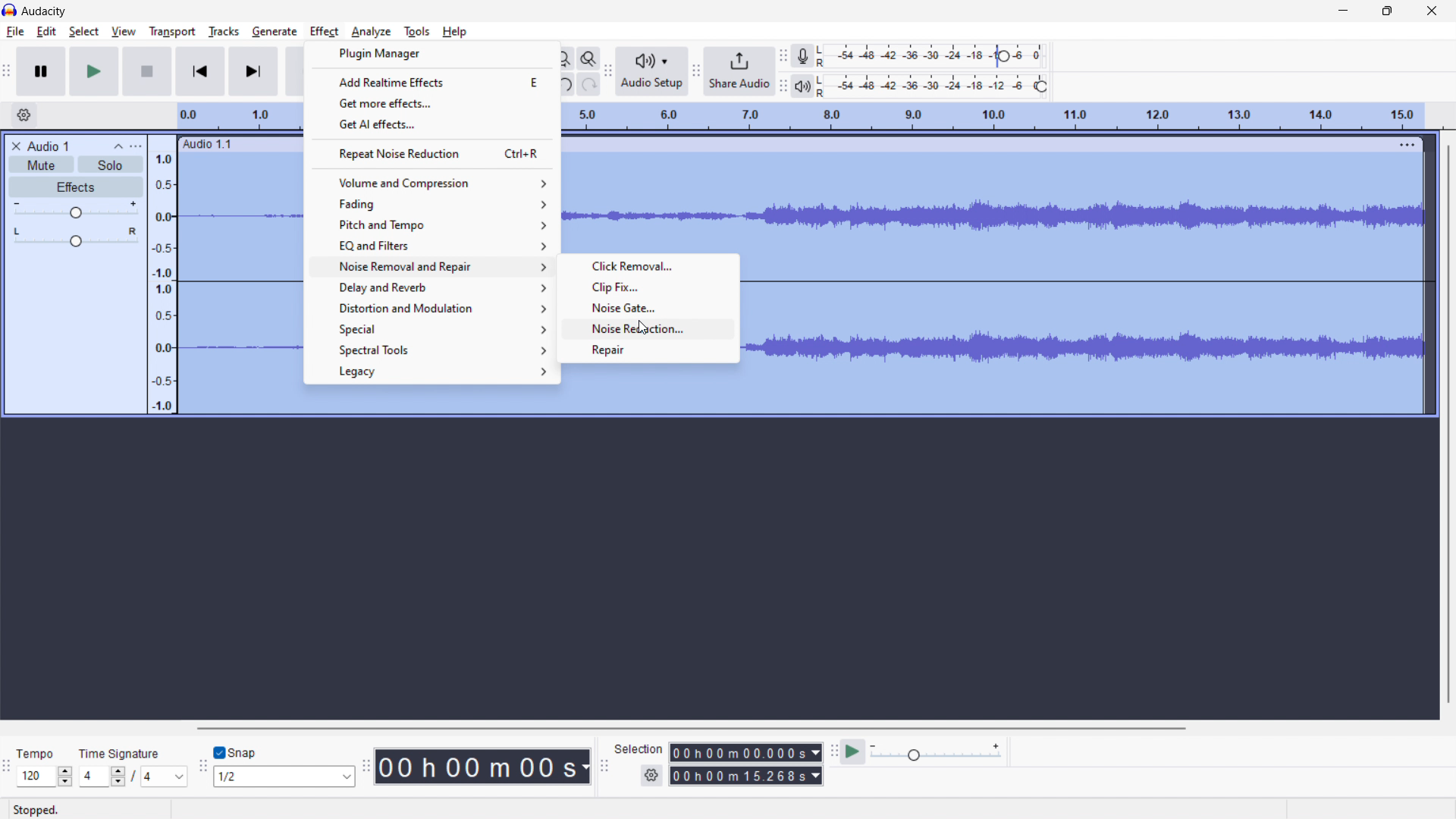 Image resolution: width=1456 pixels, height=819 pixels. What do you see at coordinates (430, 153) in the screenshot?
I see `repeat last effect` at bounding box center [430, 153].